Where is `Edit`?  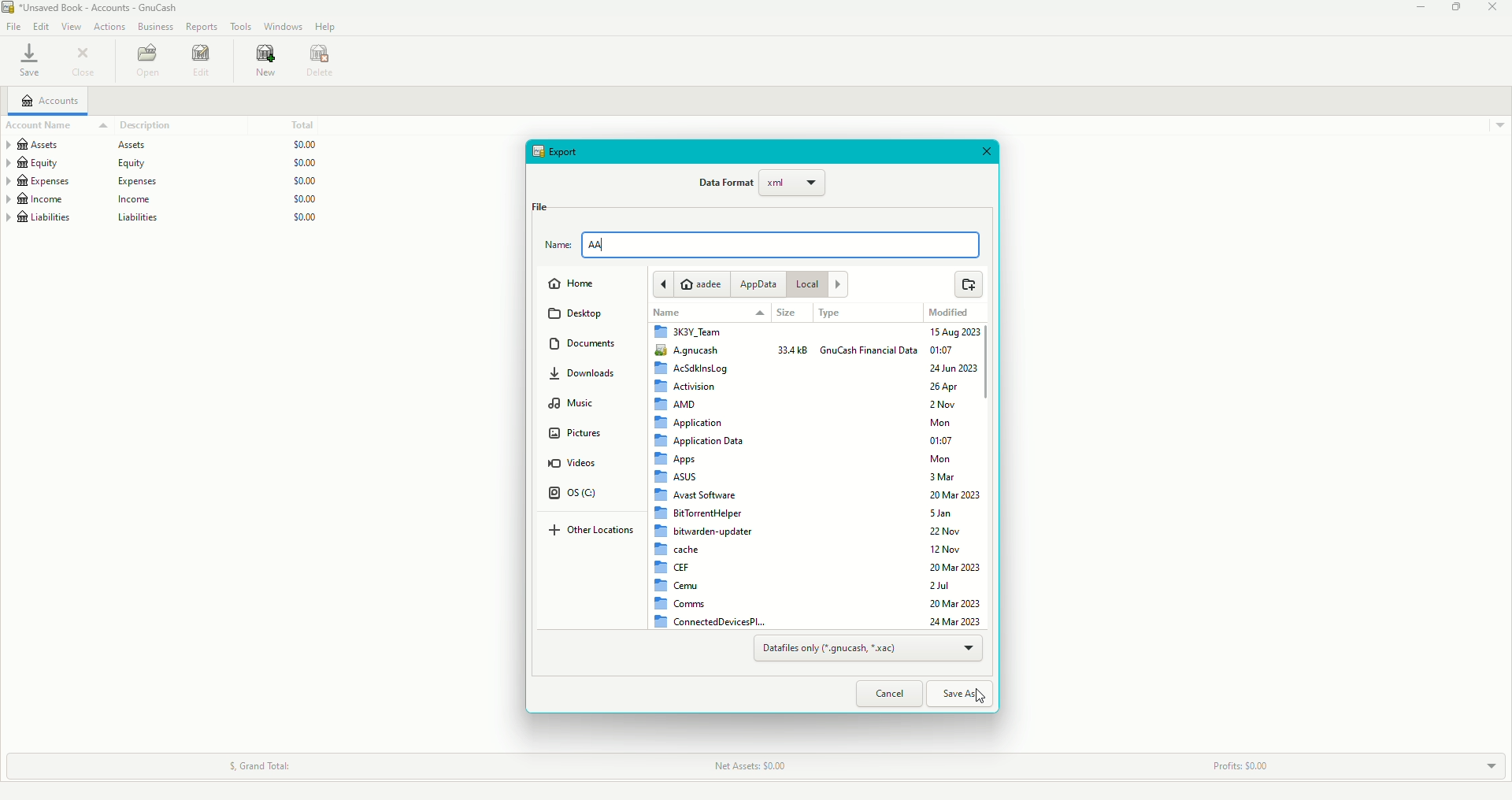 Edit is located at coordinates (40, 26).